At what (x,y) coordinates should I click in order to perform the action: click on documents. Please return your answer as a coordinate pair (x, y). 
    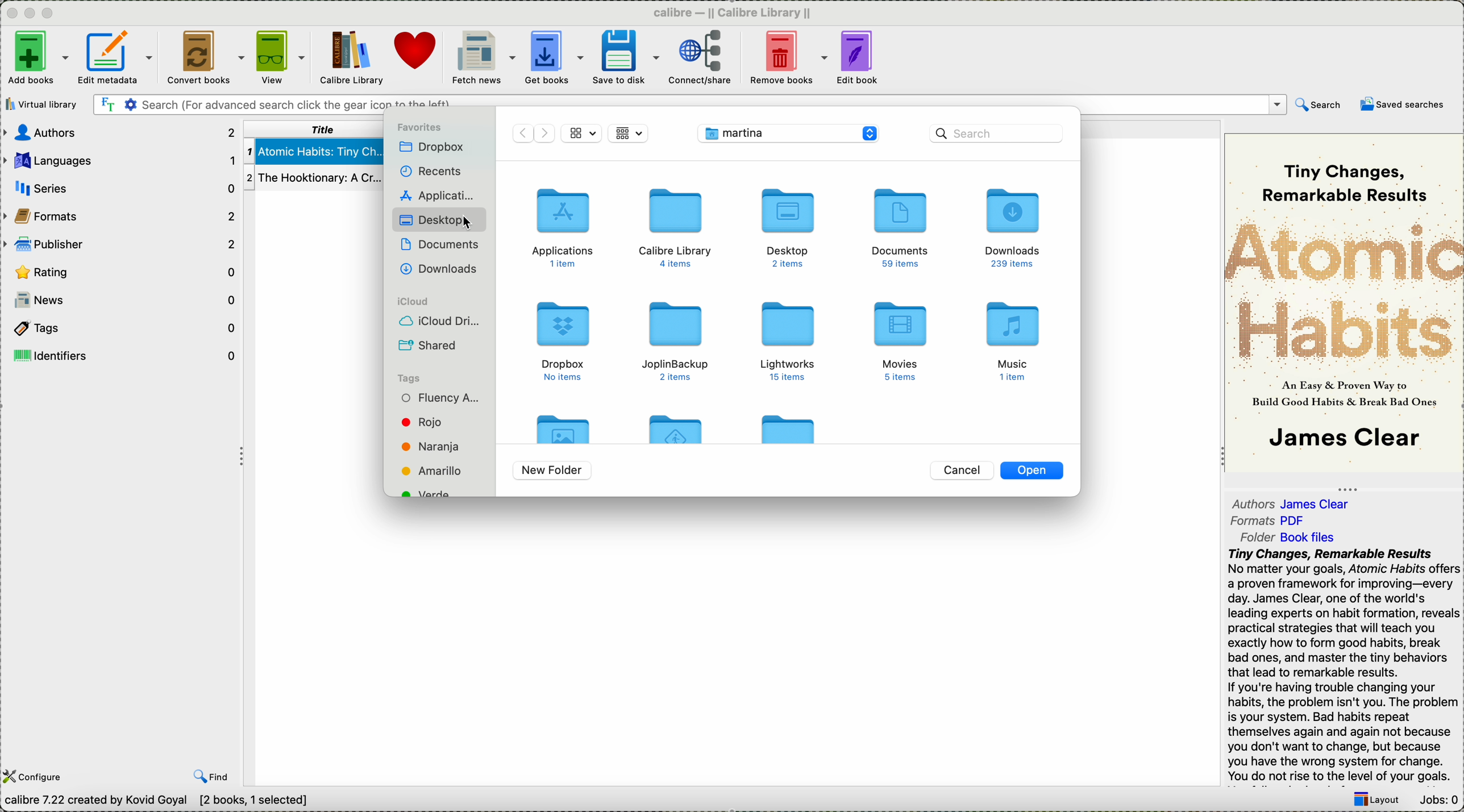
    Looking at the image, I should click on (444, 248).